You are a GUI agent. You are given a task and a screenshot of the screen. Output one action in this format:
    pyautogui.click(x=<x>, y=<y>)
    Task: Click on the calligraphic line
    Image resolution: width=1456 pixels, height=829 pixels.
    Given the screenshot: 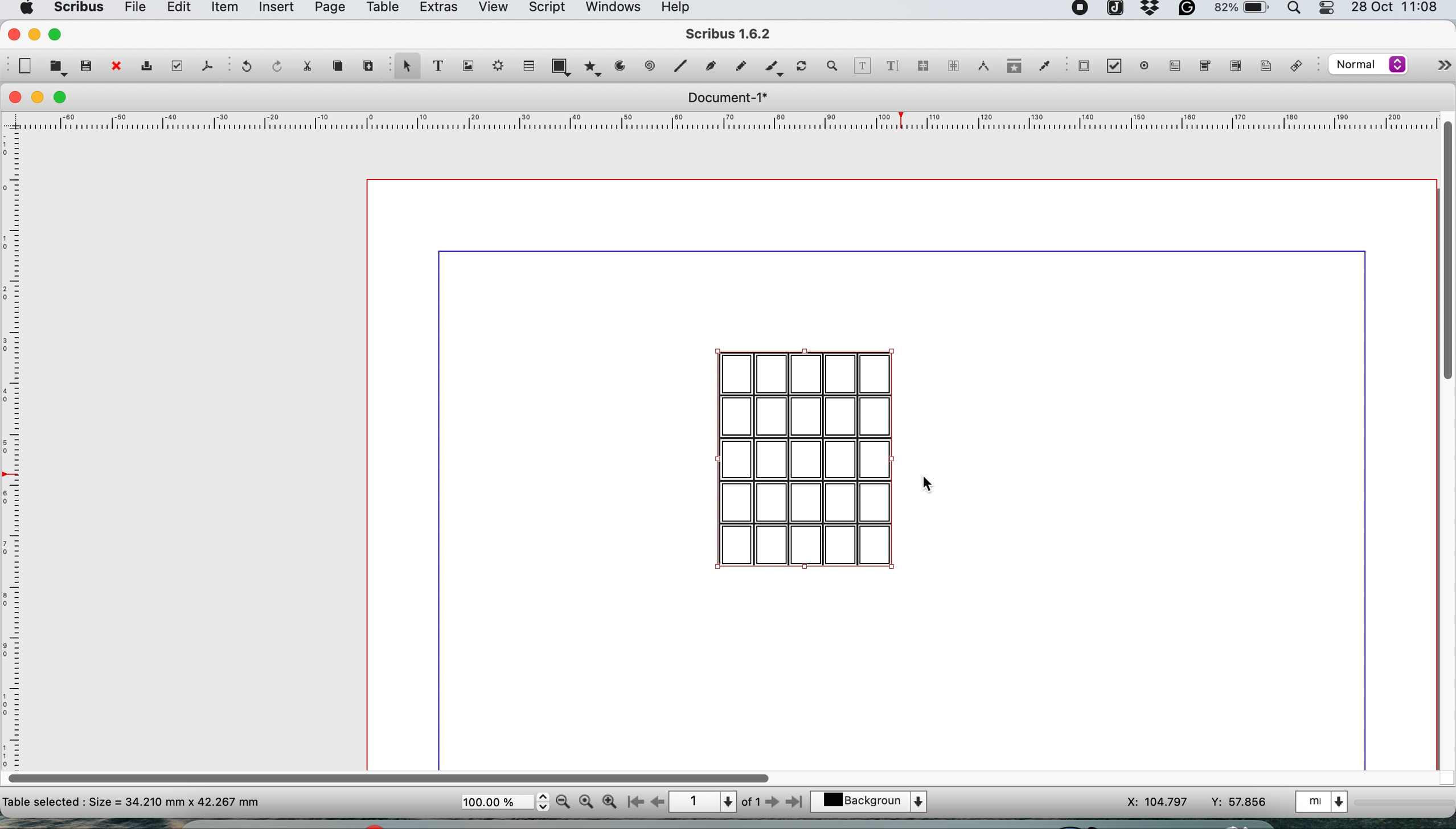 What is the action you would take?
    pyautogui.click(x=772, y=69)
    